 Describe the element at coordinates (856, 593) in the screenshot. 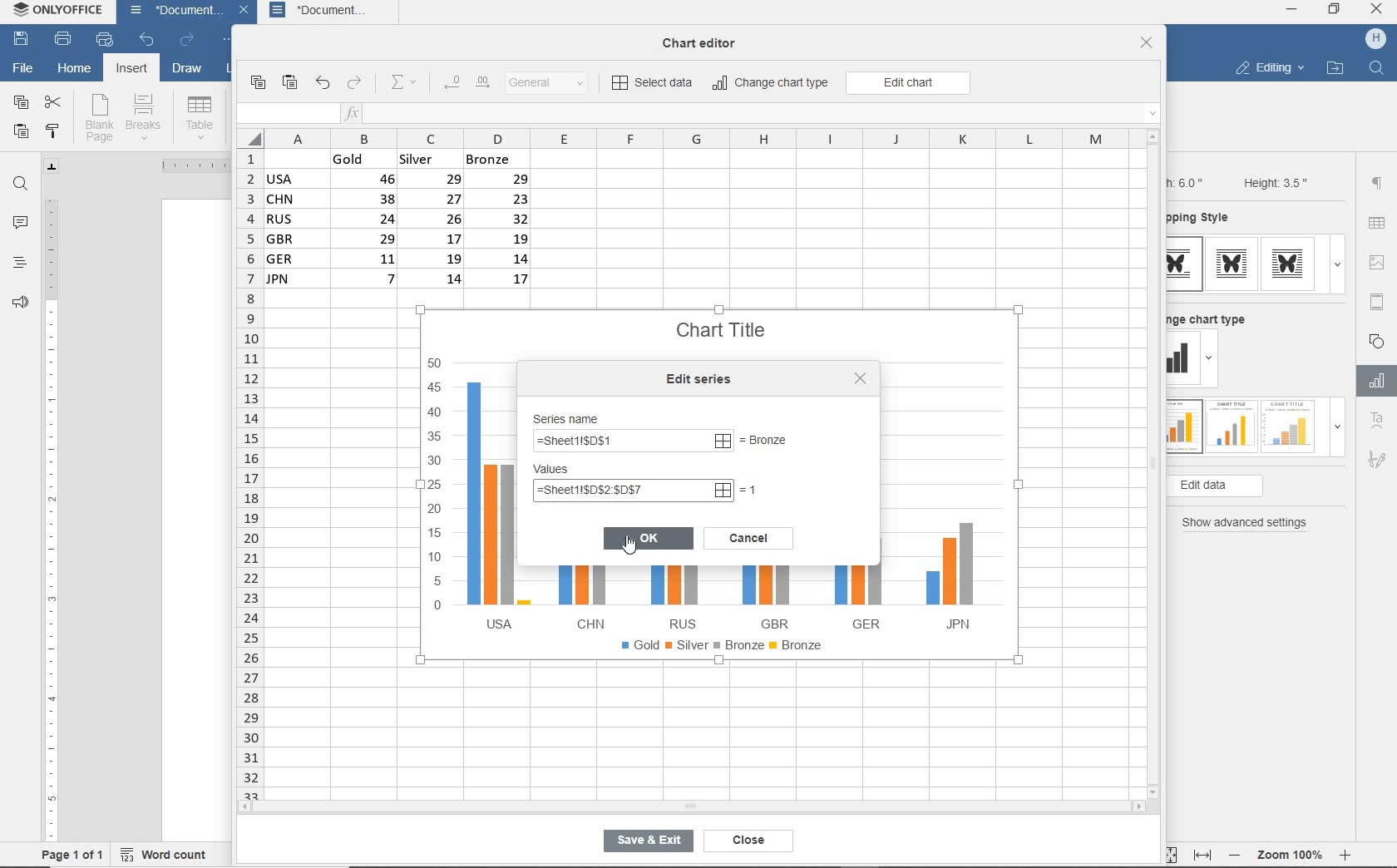

I see `GER` at that location.